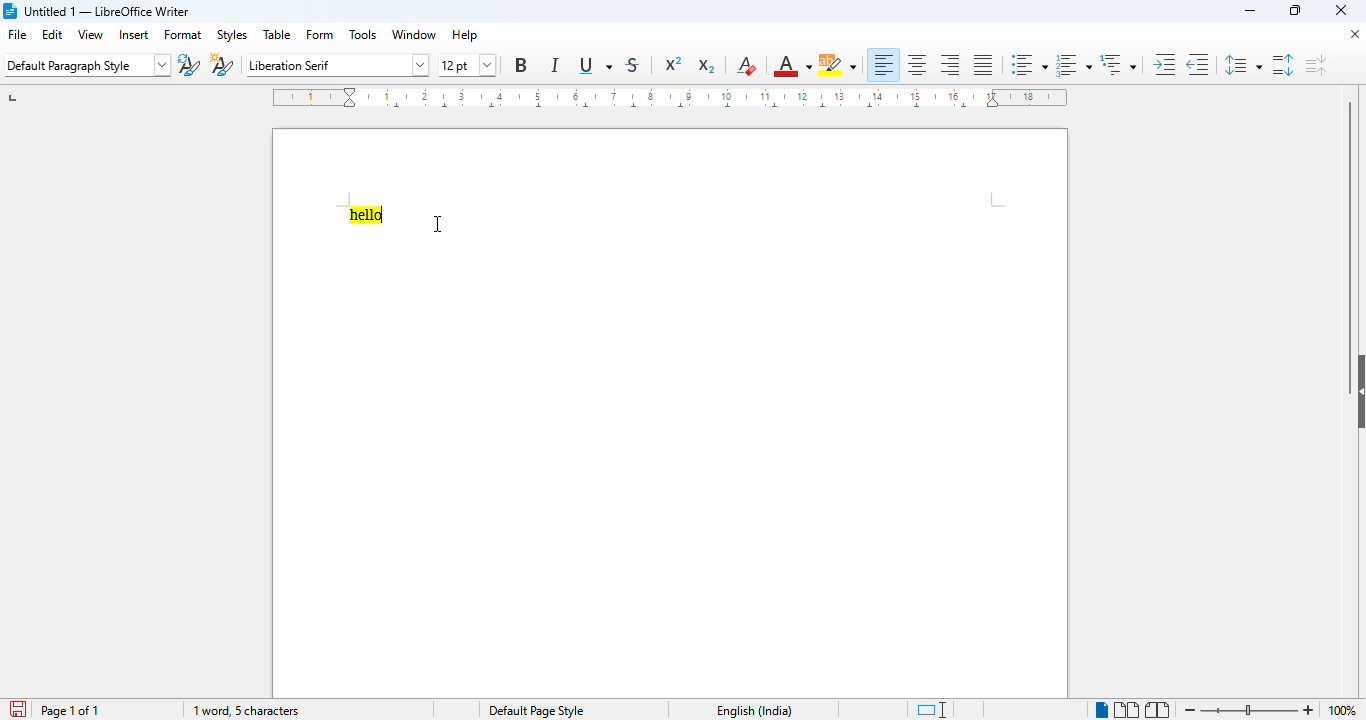 Image resolution: width=1366 pixels, height=720 pixels. I want to click on cursor, so click(848, 83).